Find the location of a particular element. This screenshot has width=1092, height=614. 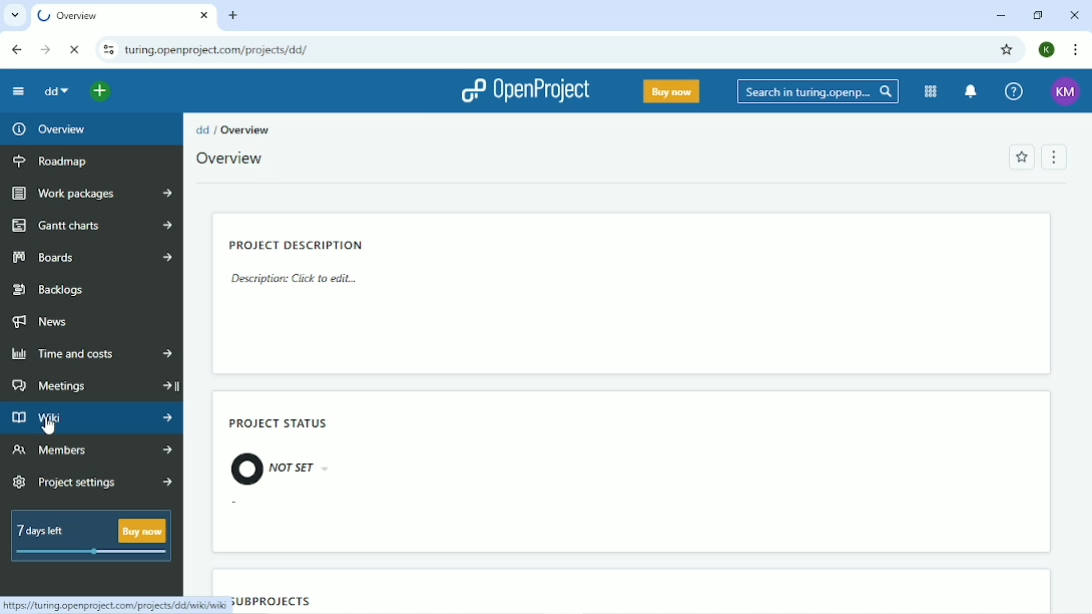

Account is located at coordinates (1047, 49).